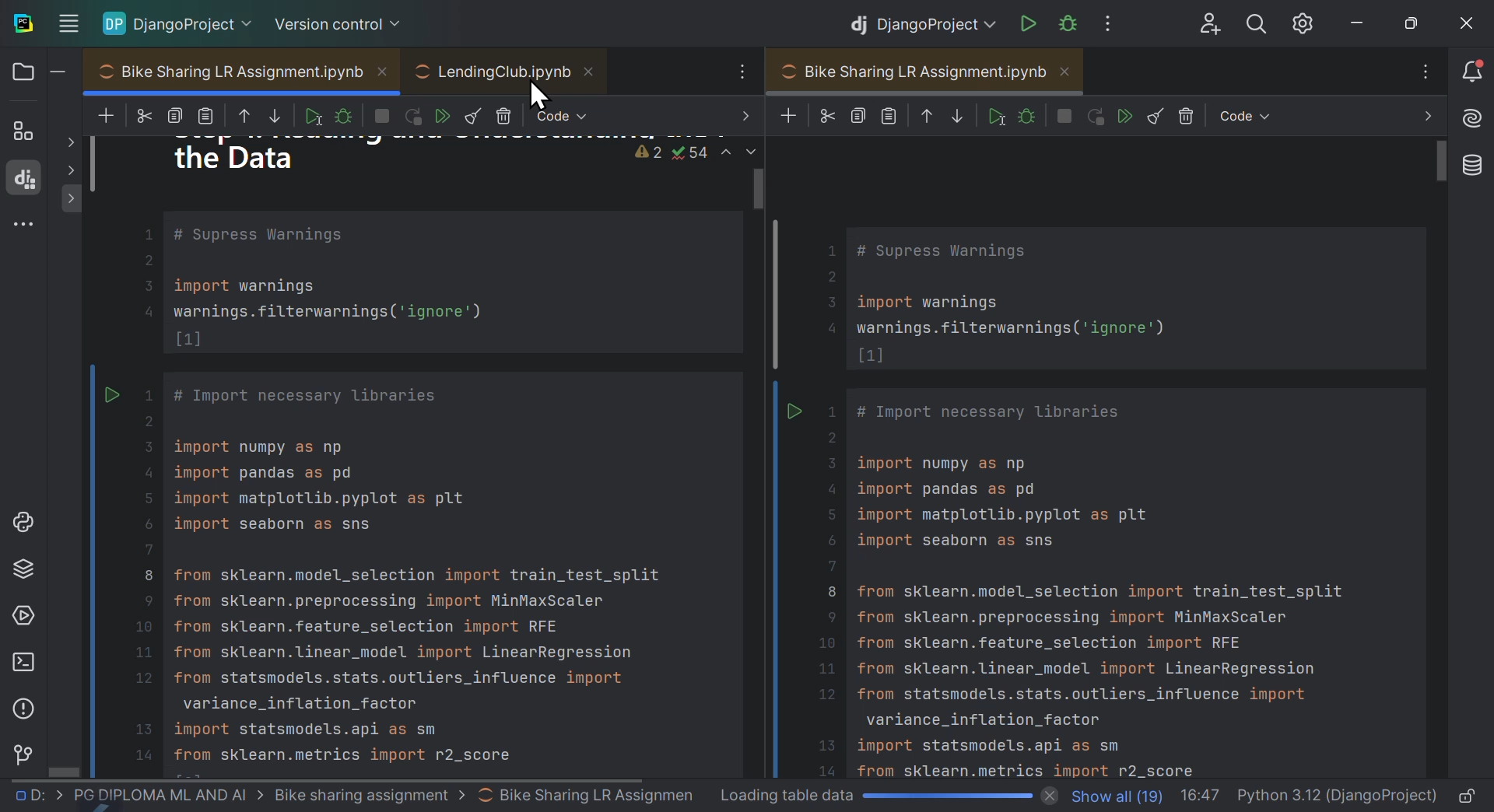  What do you see at coordinates (1466, 19) in the screenshot?
I see `close` at bounding box center [1466, 19].